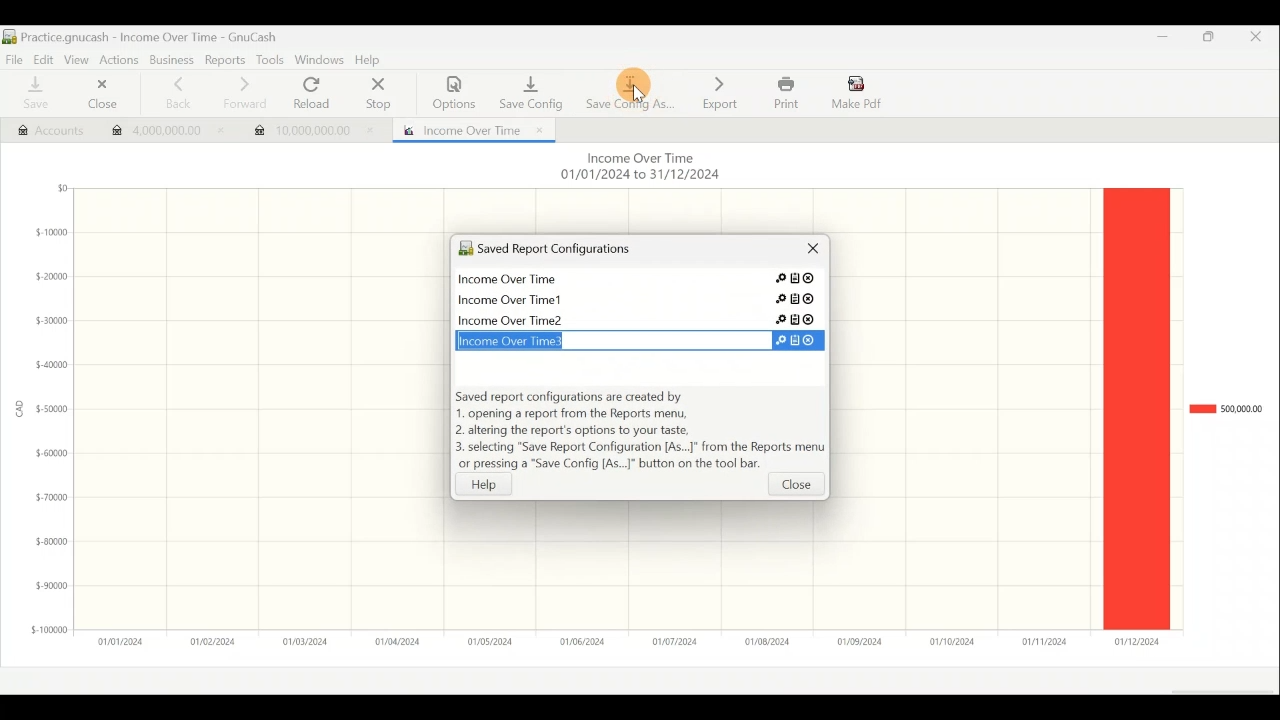 This screenshot has width=1280, height=720. I want to click on Help, so click(372, 61).